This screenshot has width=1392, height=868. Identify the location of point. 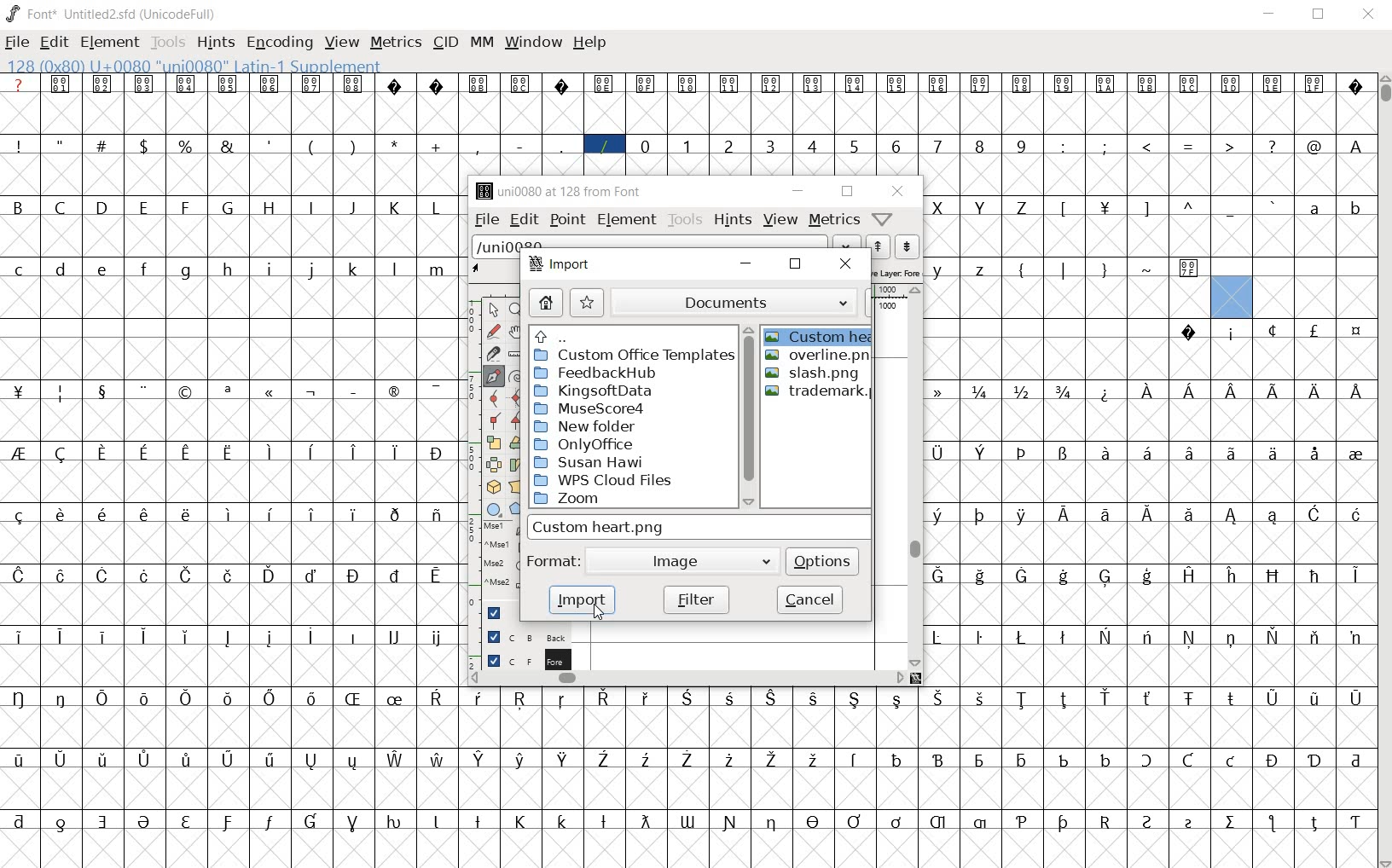
(567, 219).